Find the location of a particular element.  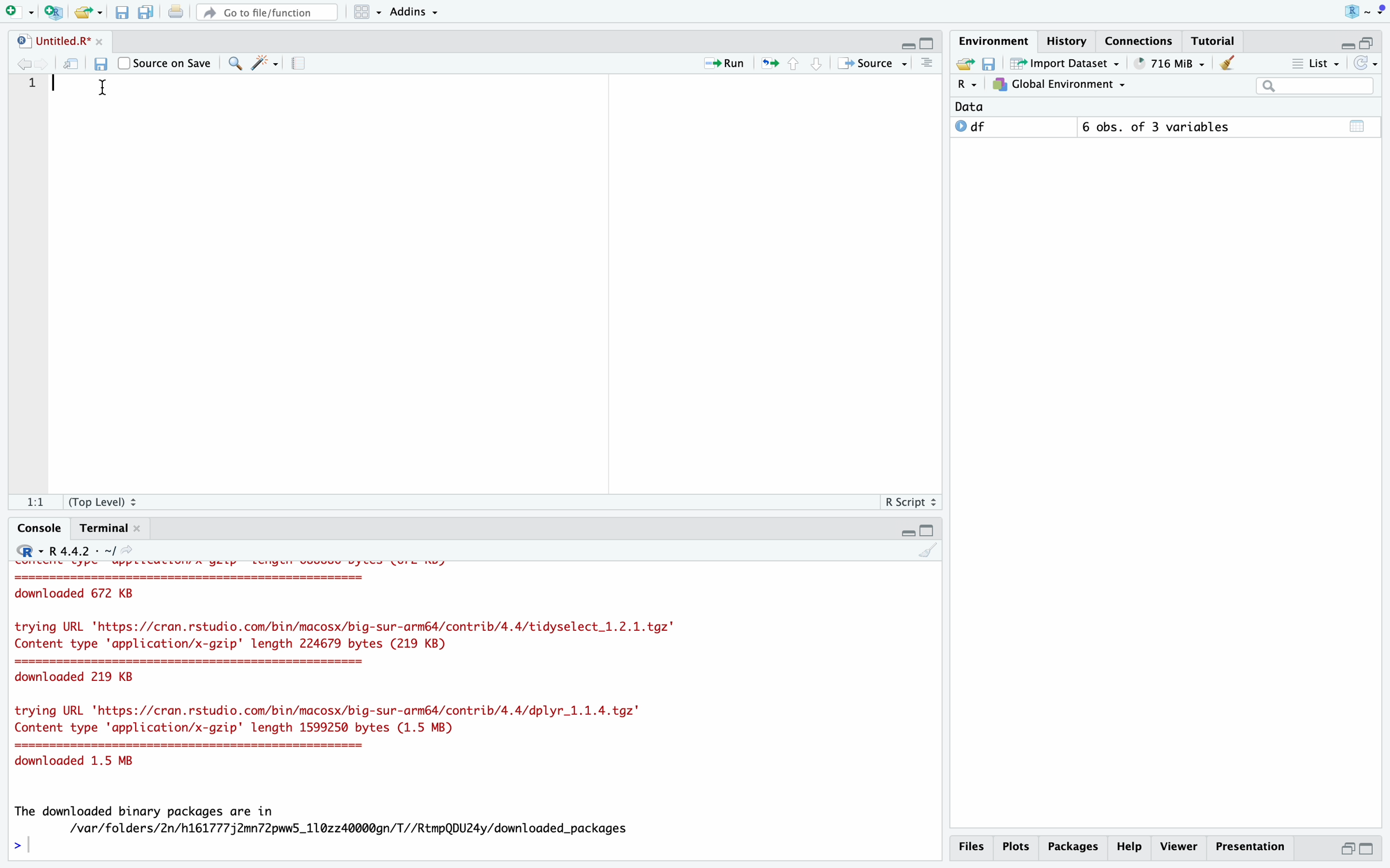

Save all open files is located at coordinates (146, 12).